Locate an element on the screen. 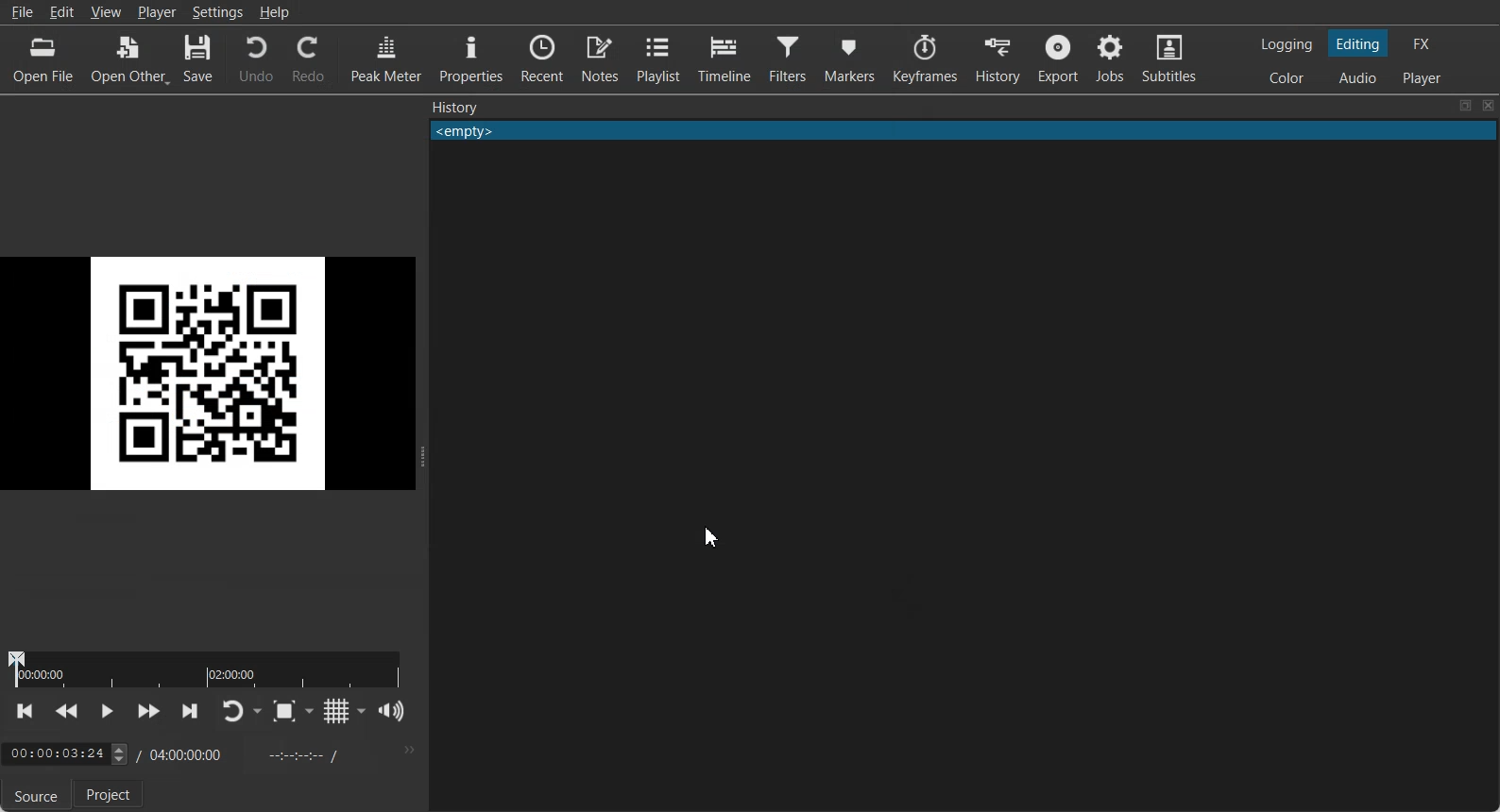 Image resolution: width=1500 pixels, height=812 pixels. QR Code Image selected is located at coordinates (213, 374).